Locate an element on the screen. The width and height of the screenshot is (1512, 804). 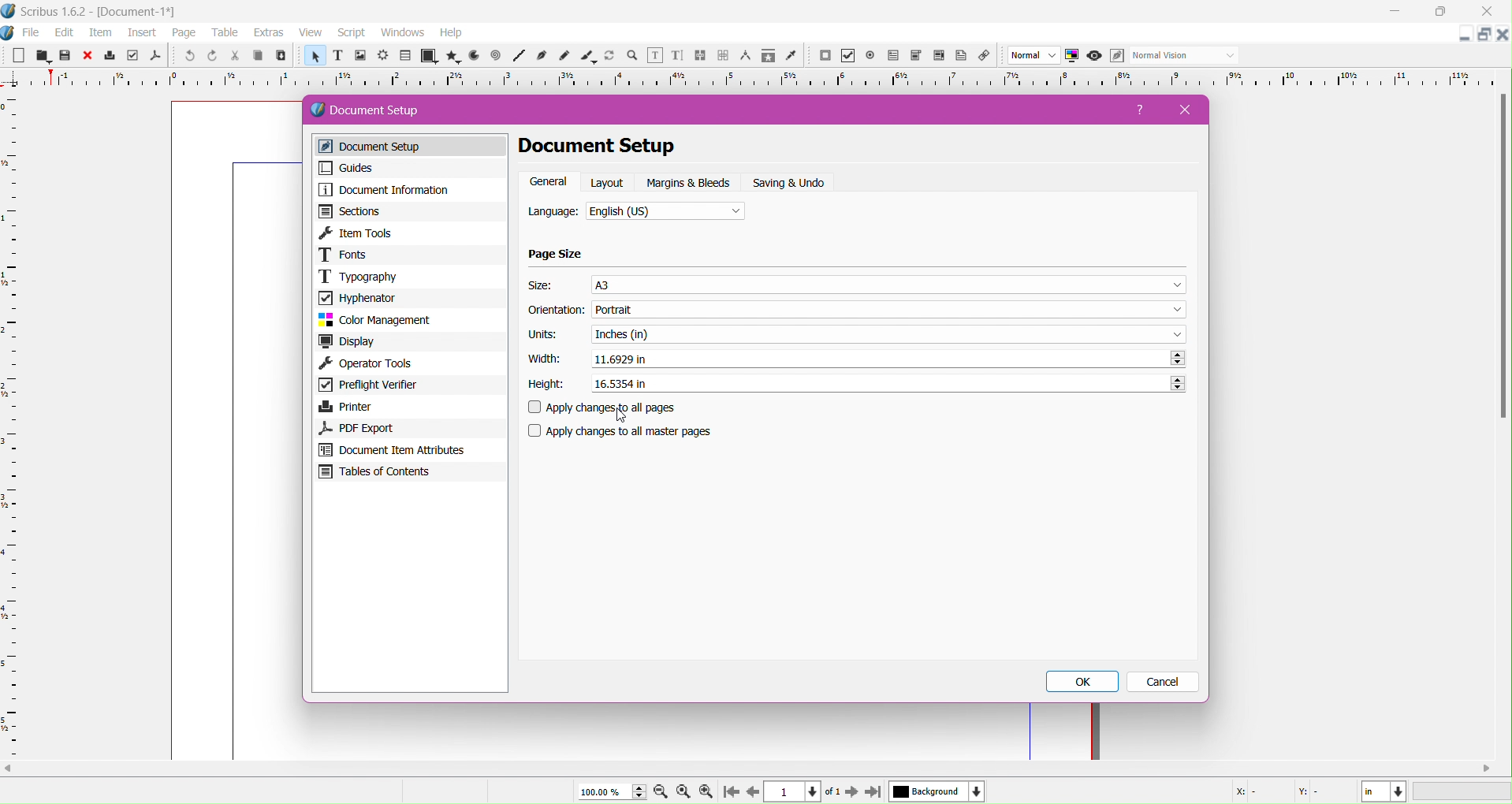
Item Tools is located at coordinates (412, 233).